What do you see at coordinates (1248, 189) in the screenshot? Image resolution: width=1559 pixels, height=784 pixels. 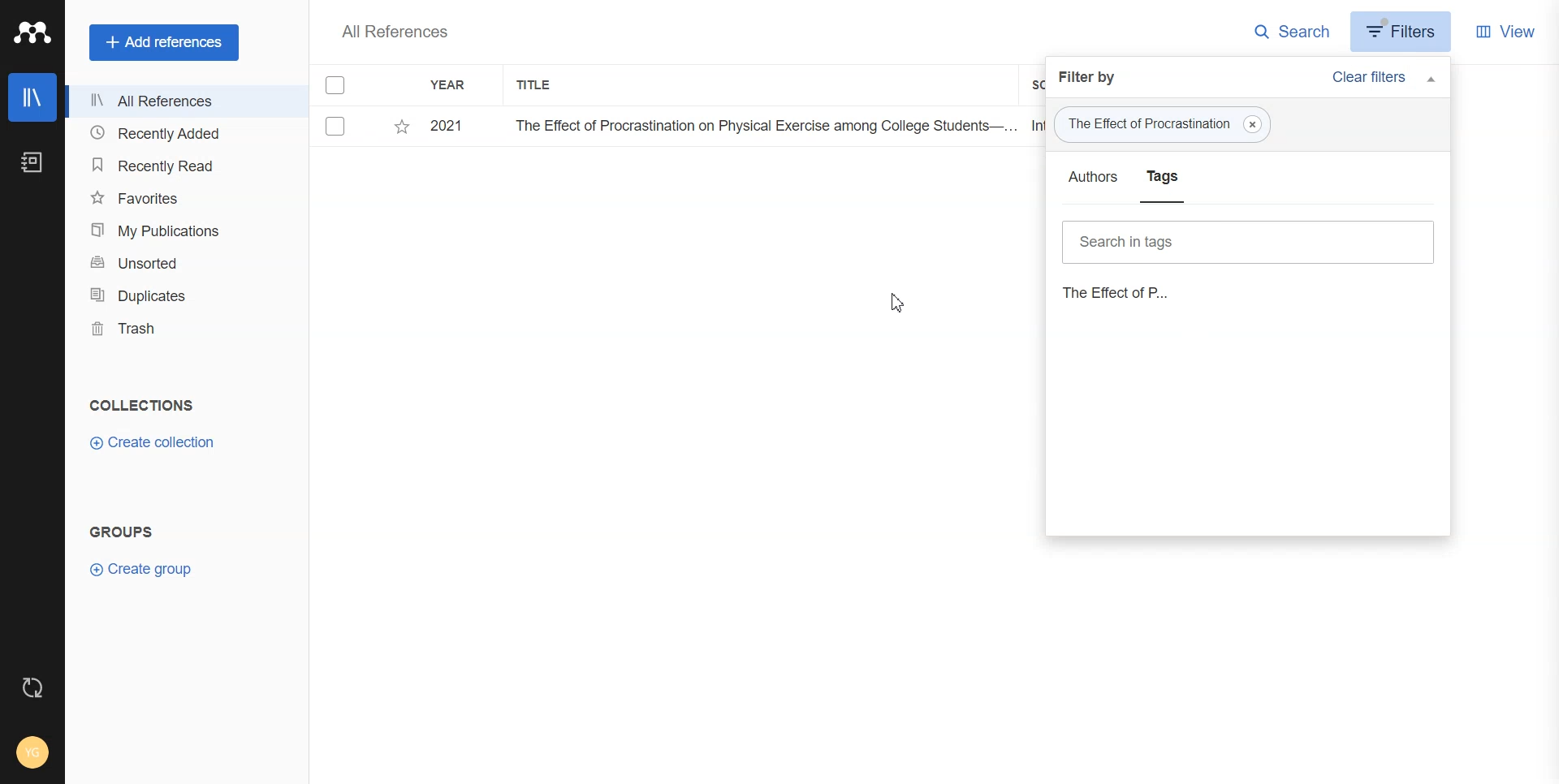 I see `Search bar` at bounding box center [1248, 189].